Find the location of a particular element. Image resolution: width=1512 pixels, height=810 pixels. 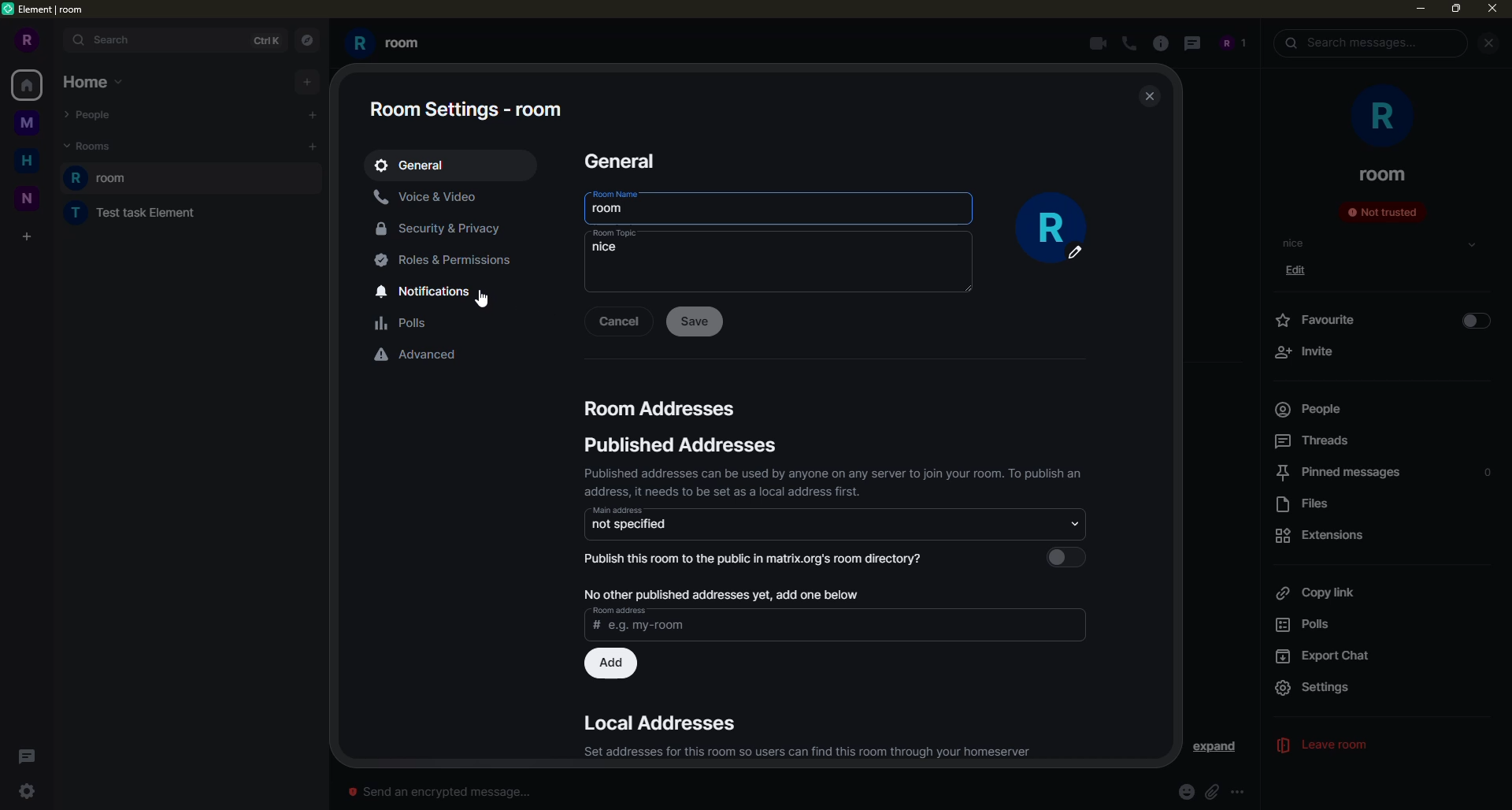

room topic is located at coordinates (614, 233).